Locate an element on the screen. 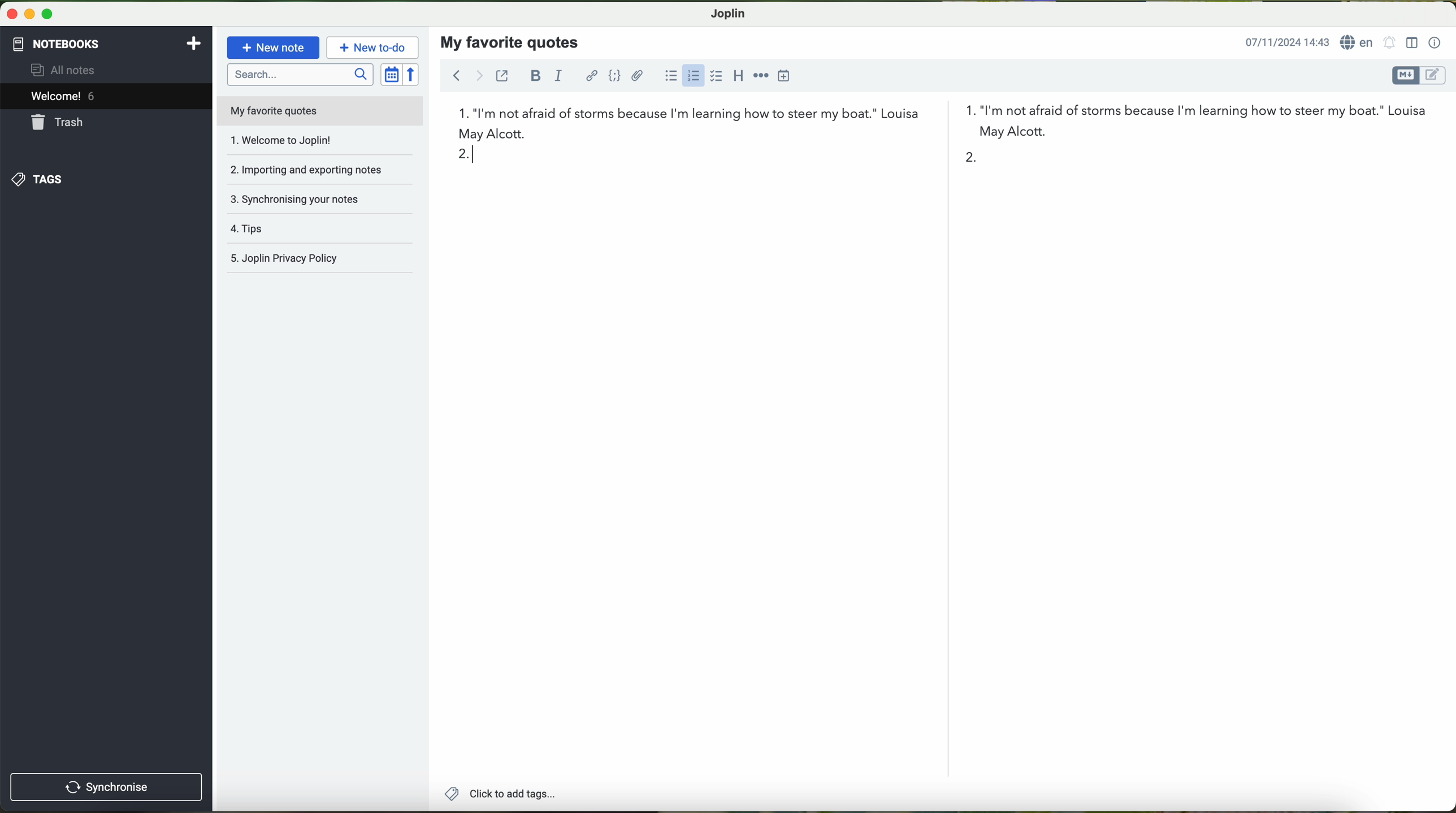 The width and height of the screenshot is (1456, 813). minimize is located at coordinates (29, 17).